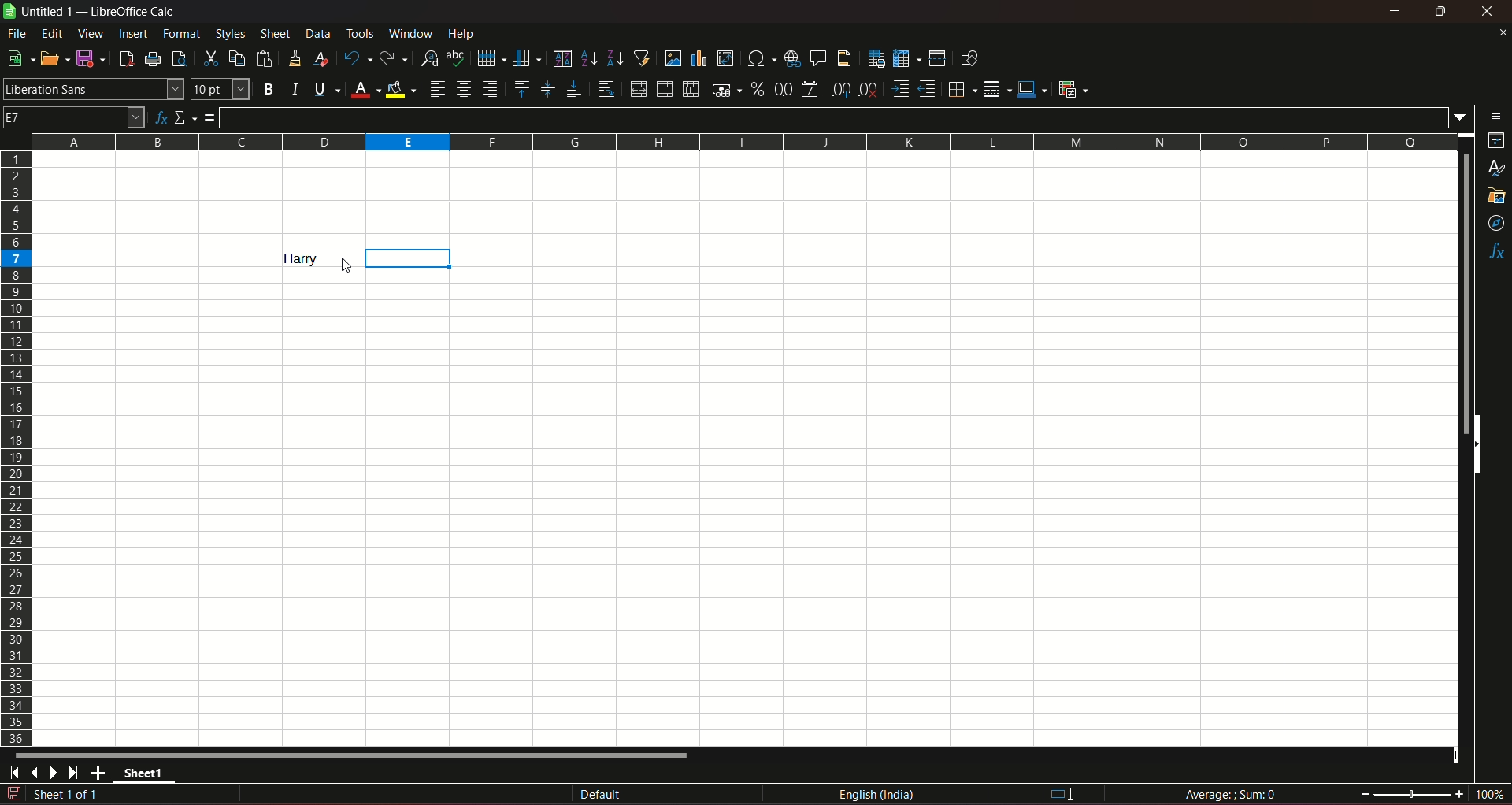 The width and height of the screenshot is (1512, 805). Describe the element at coordinates (464, 89) in the screenshot. I see `align center` at that location.